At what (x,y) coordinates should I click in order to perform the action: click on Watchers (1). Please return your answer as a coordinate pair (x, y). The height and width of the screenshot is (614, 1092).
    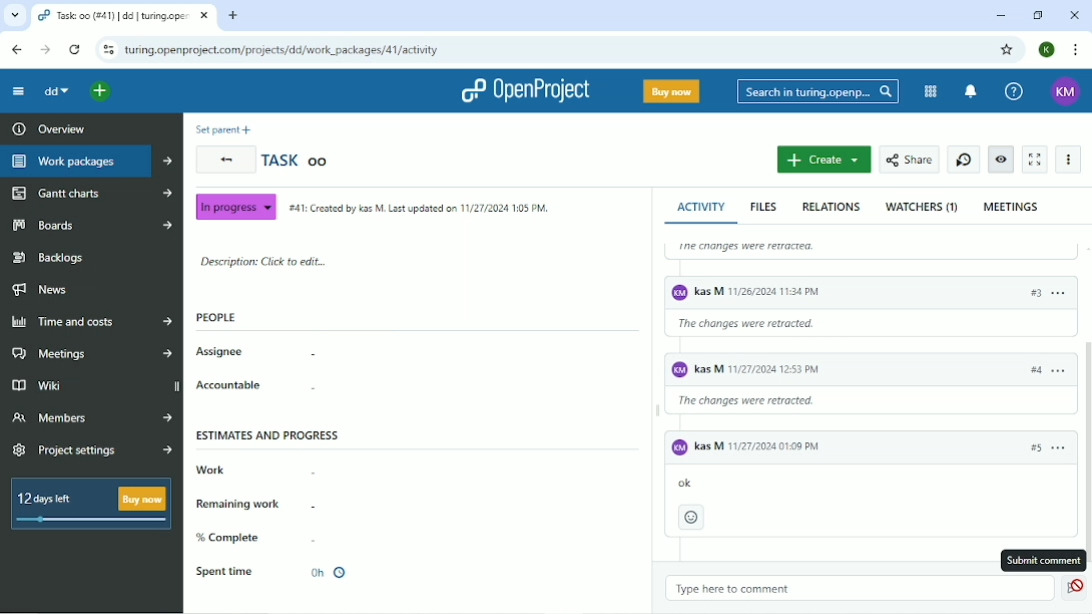
    Looking at the image, I should click on (921, 208).